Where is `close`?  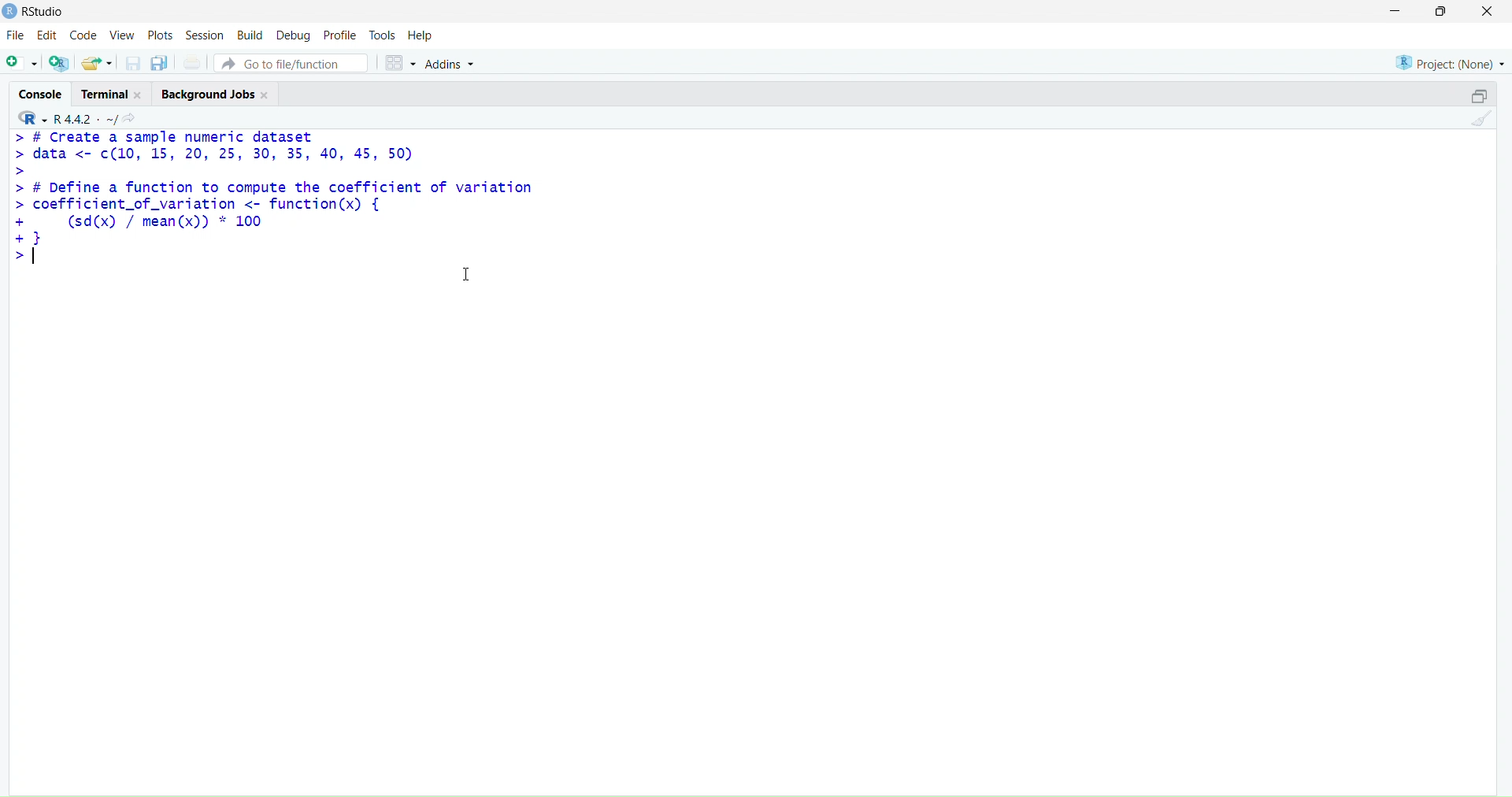
close is located at coordinates (1487, 11).